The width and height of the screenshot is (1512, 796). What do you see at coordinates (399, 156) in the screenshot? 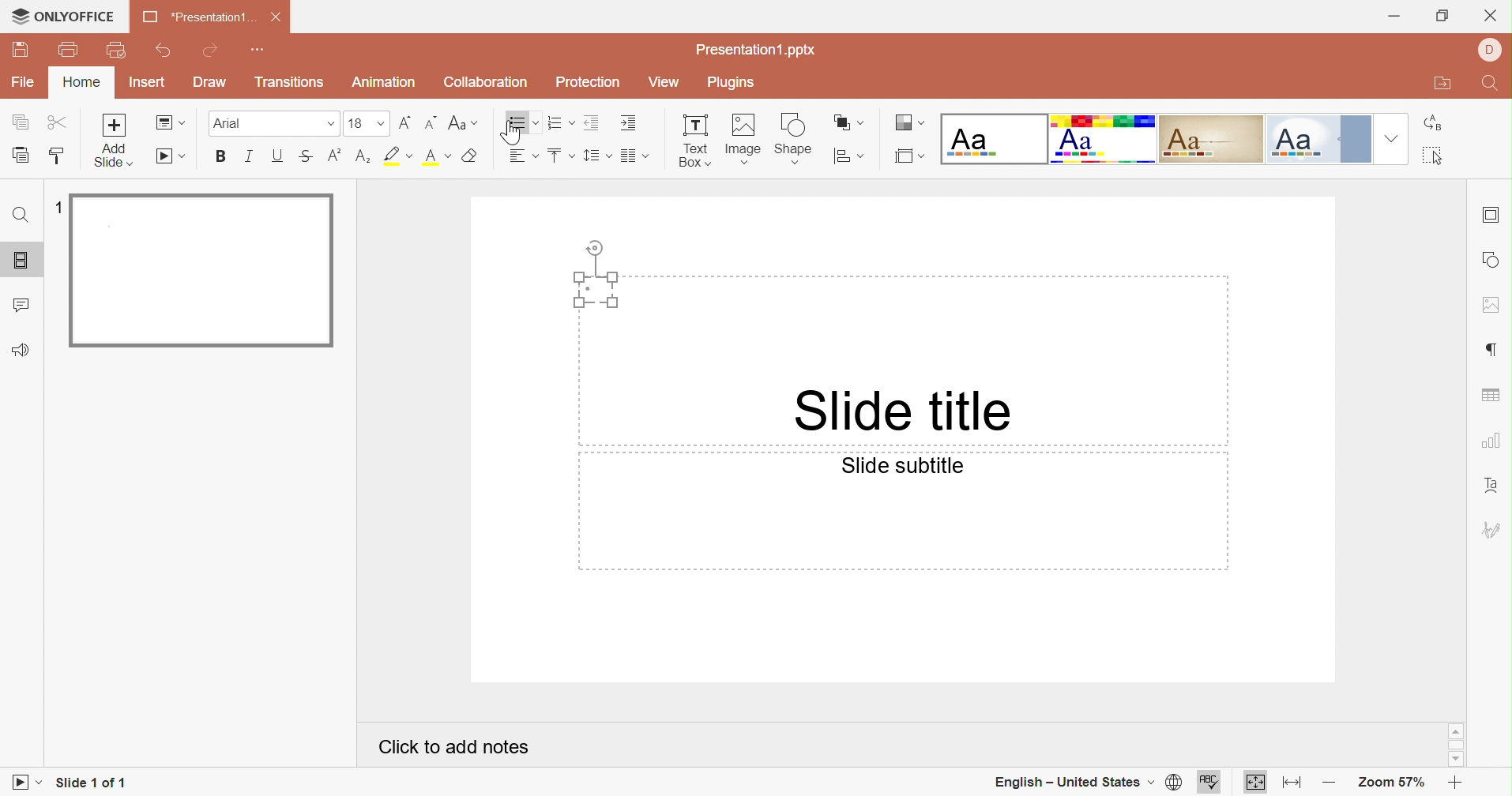
I see `Highlight font` at bounding box center [399, 156].